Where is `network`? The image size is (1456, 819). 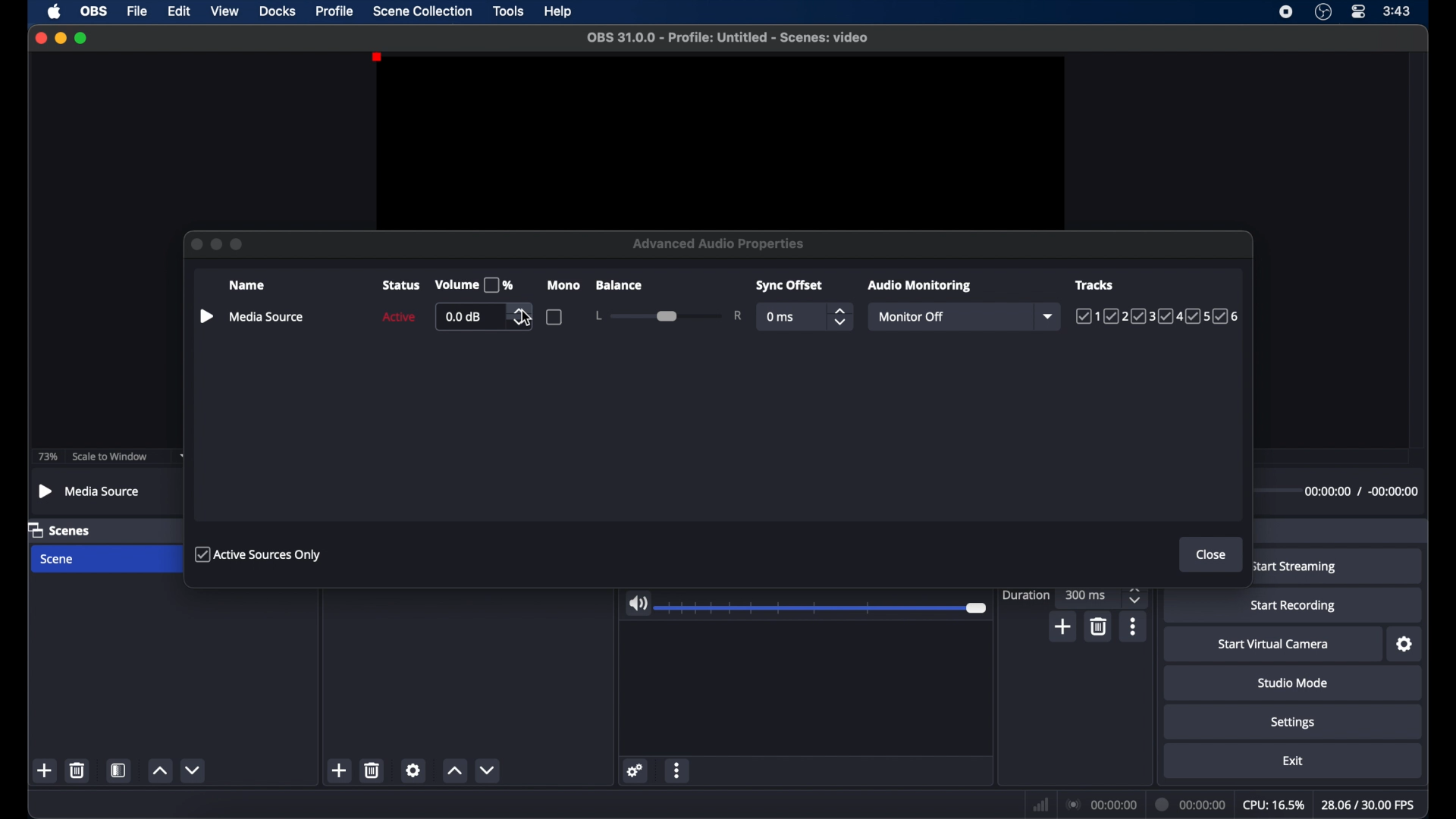
network is located at coordinates (1041, 805).